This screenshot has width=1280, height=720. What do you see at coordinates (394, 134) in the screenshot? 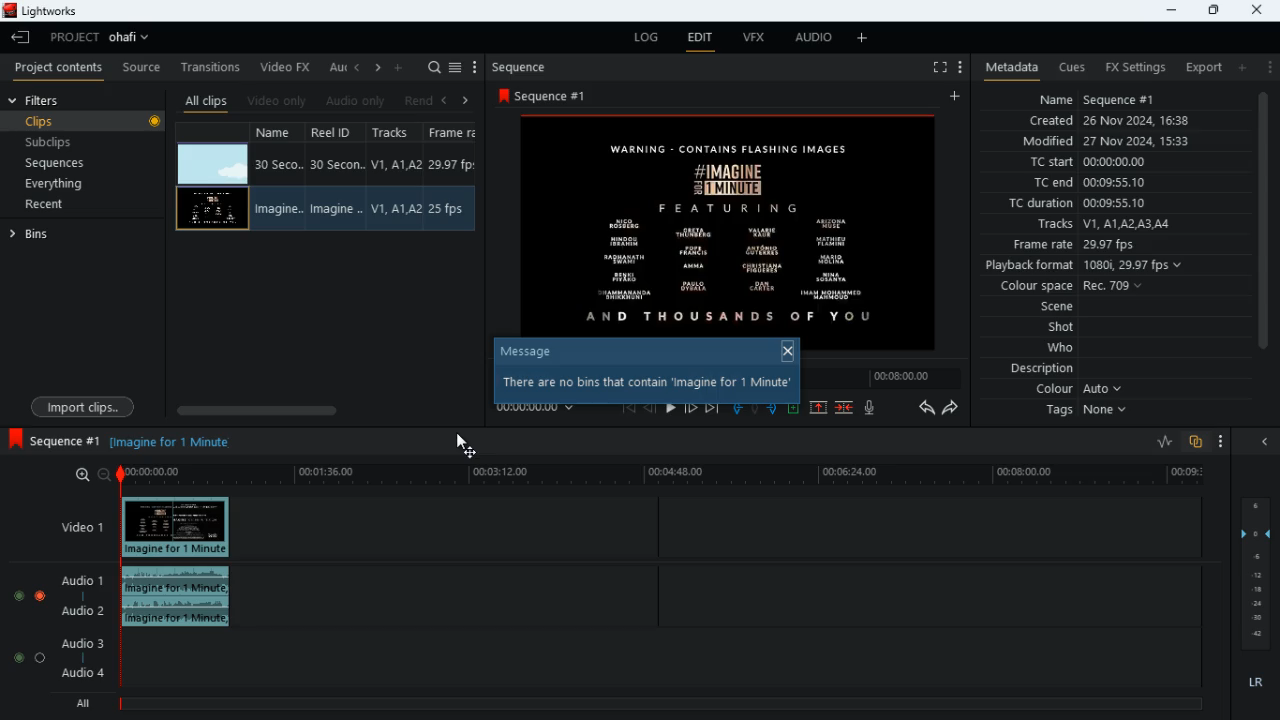
I see `tracks` at bounding box center [394, 134].